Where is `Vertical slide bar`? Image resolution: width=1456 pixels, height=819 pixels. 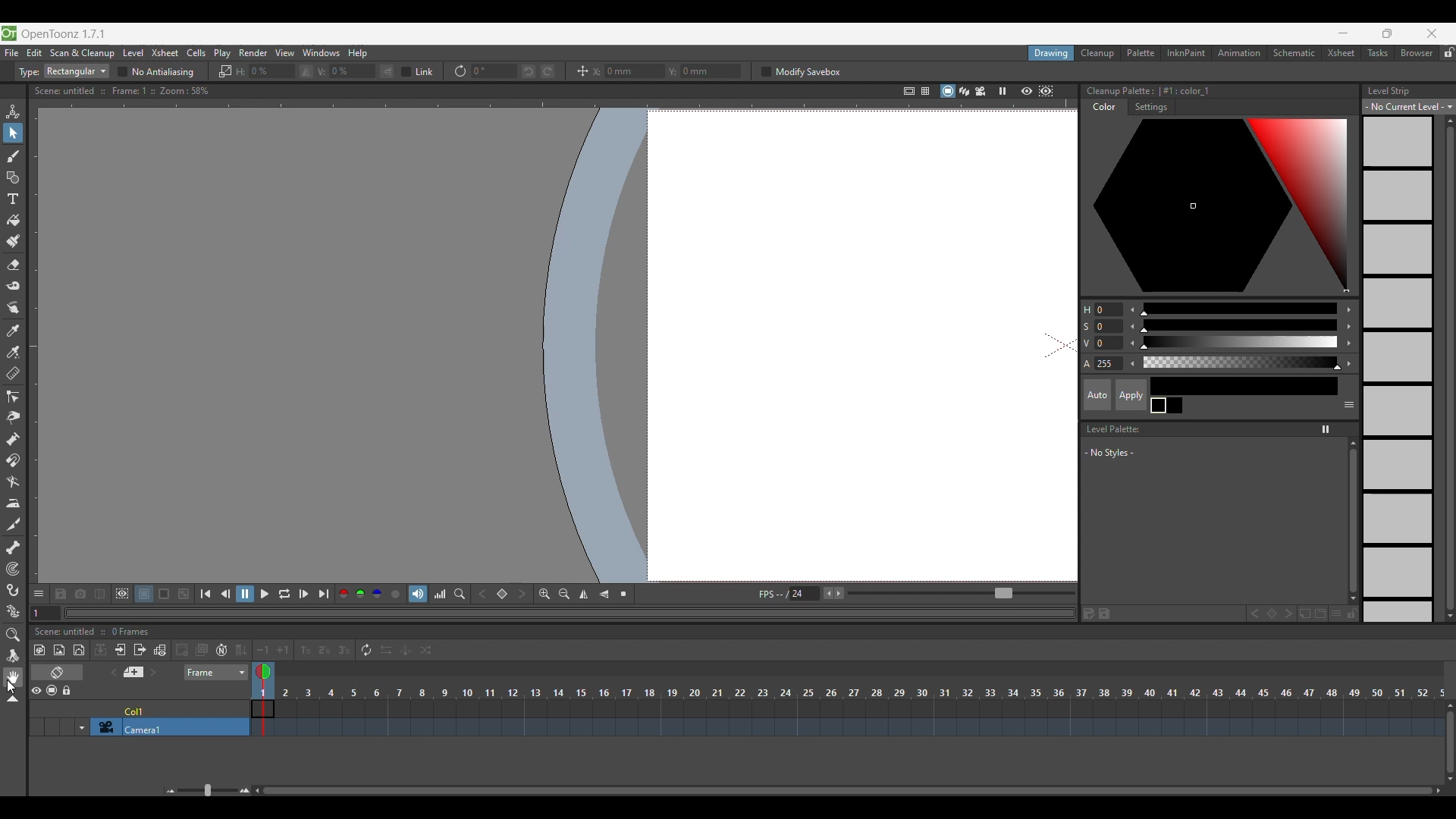
Vertical slide bar is located at coordinates (1449, 742).